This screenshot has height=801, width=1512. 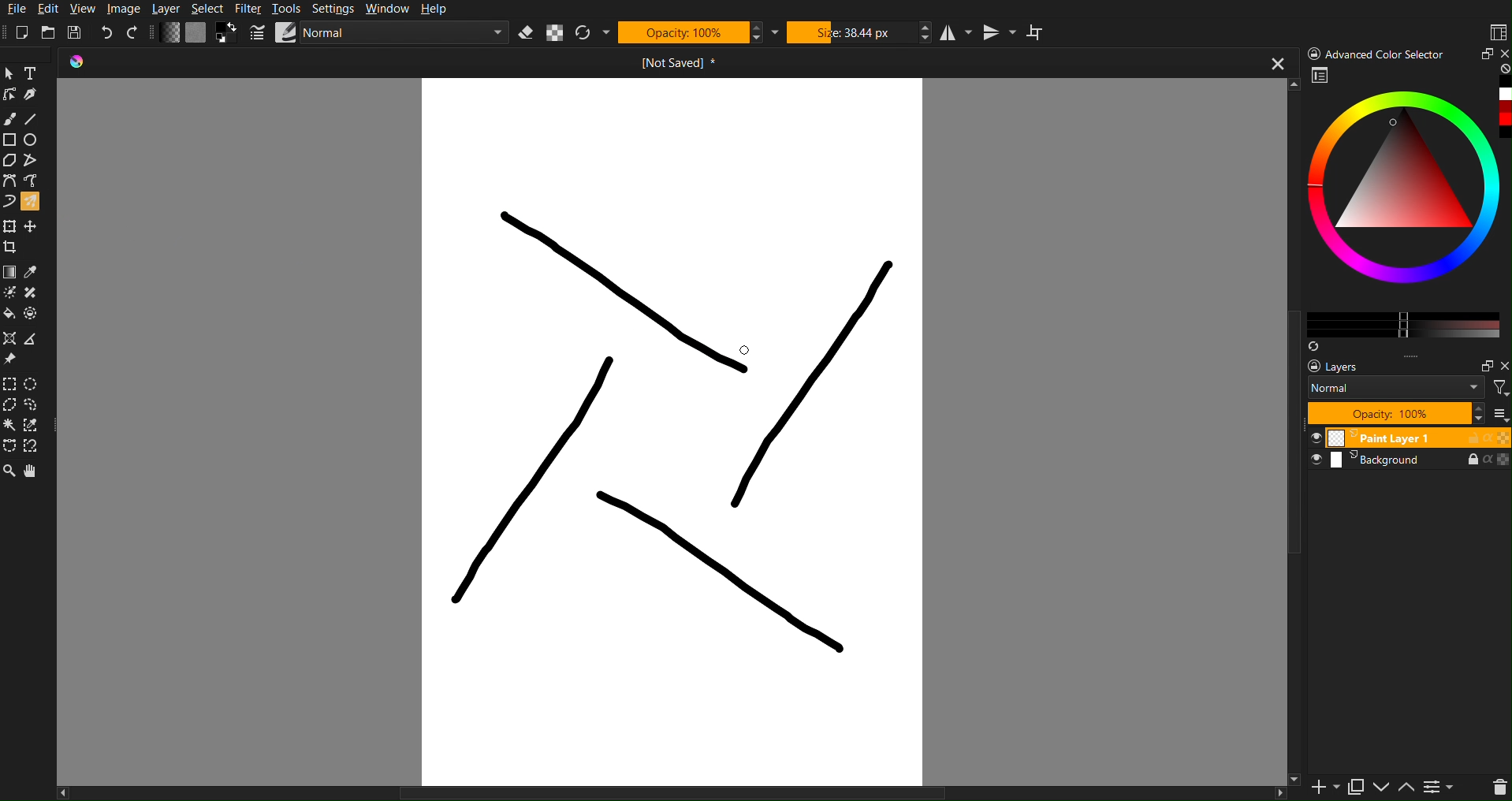 What do you see at coordinates (9, 293) in the screenshot?
I see `Colorise Mask` at bounding box center [9, 293].